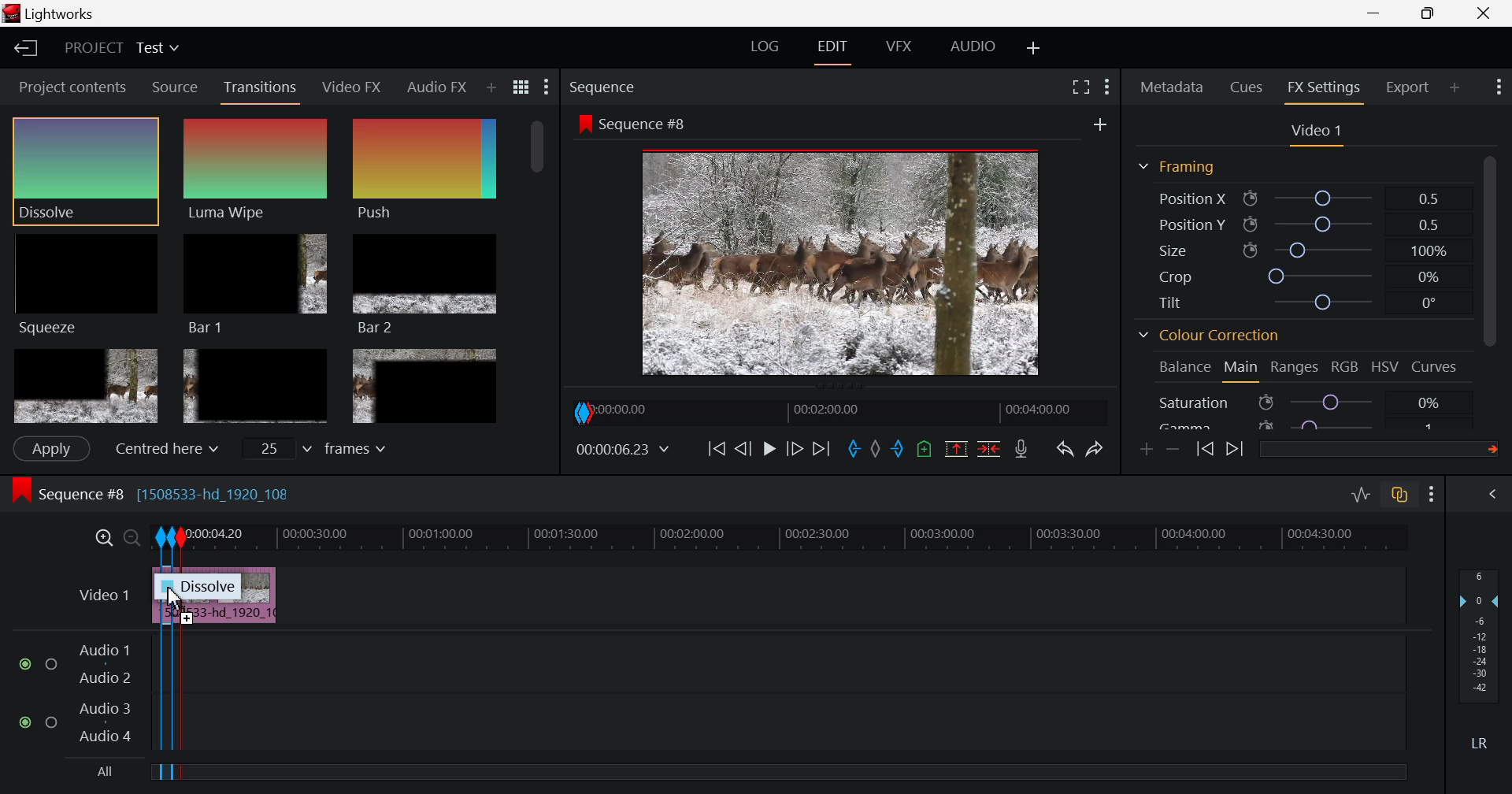 The height and width of the screenshot is (794, 1512). Describe the element at coordinates (838, 412) in the screenshot. I see `Project Timeline Navigator` at that location.